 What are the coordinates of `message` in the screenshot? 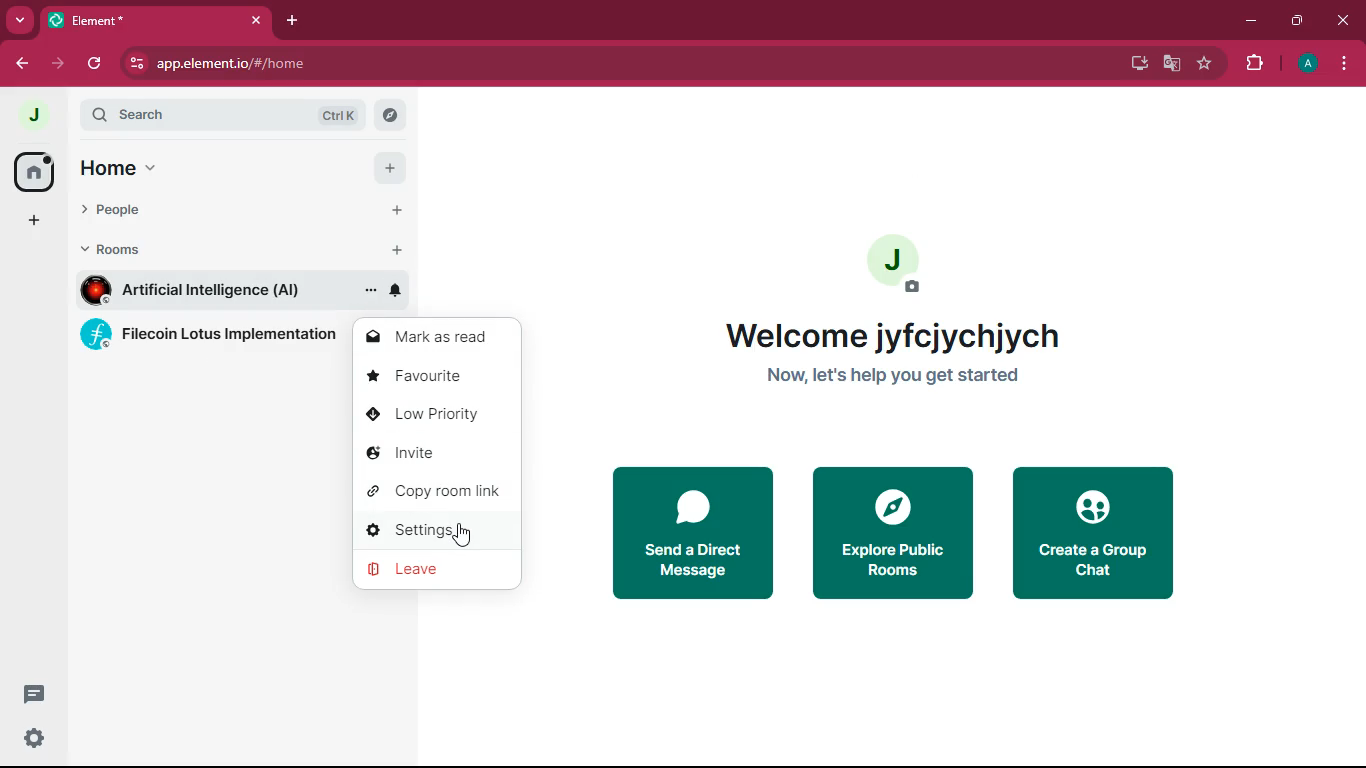 It's located at (35, 694).